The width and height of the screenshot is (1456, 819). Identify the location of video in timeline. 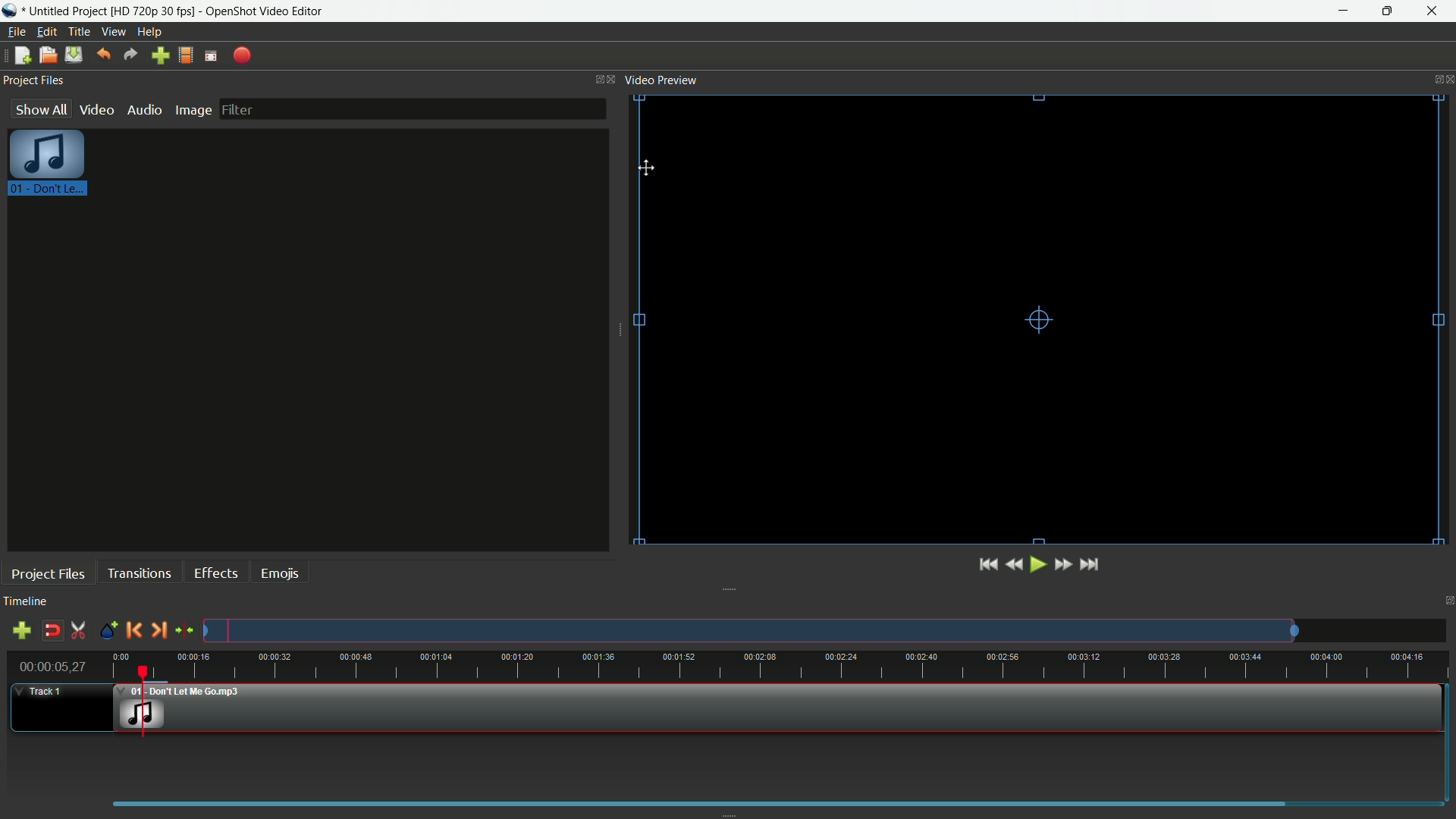
(782, 708).